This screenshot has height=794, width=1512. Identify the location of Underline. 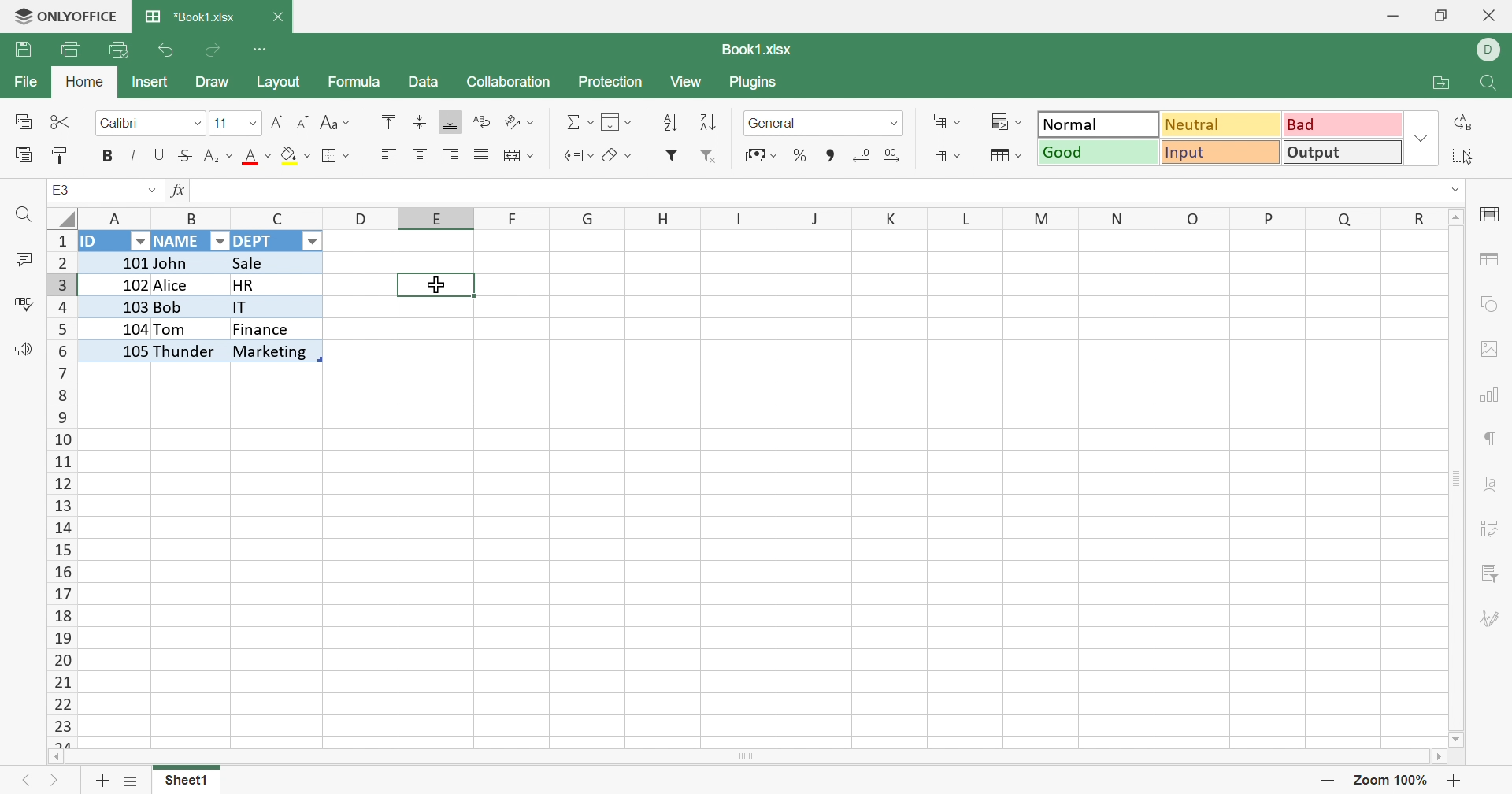
(160, 158).